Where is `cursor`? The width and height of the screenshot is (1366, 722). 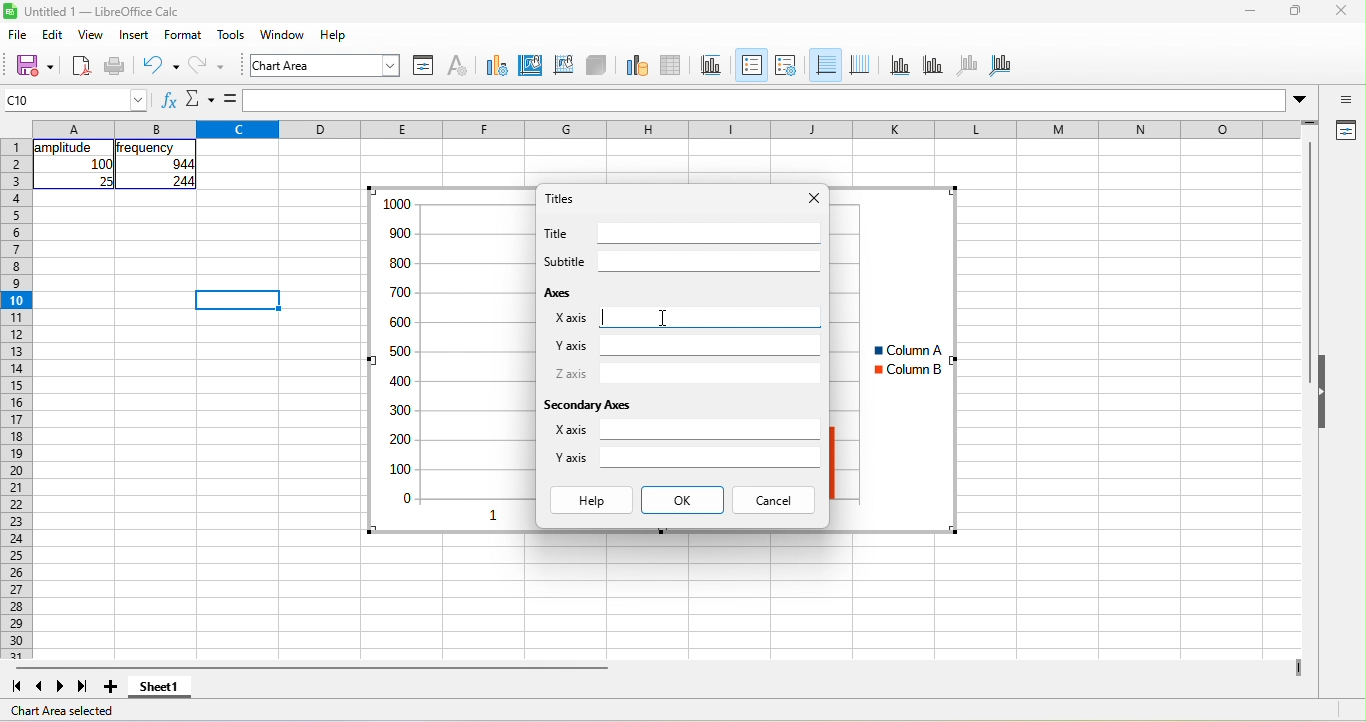
cursor is located at coordinates (663, 318).